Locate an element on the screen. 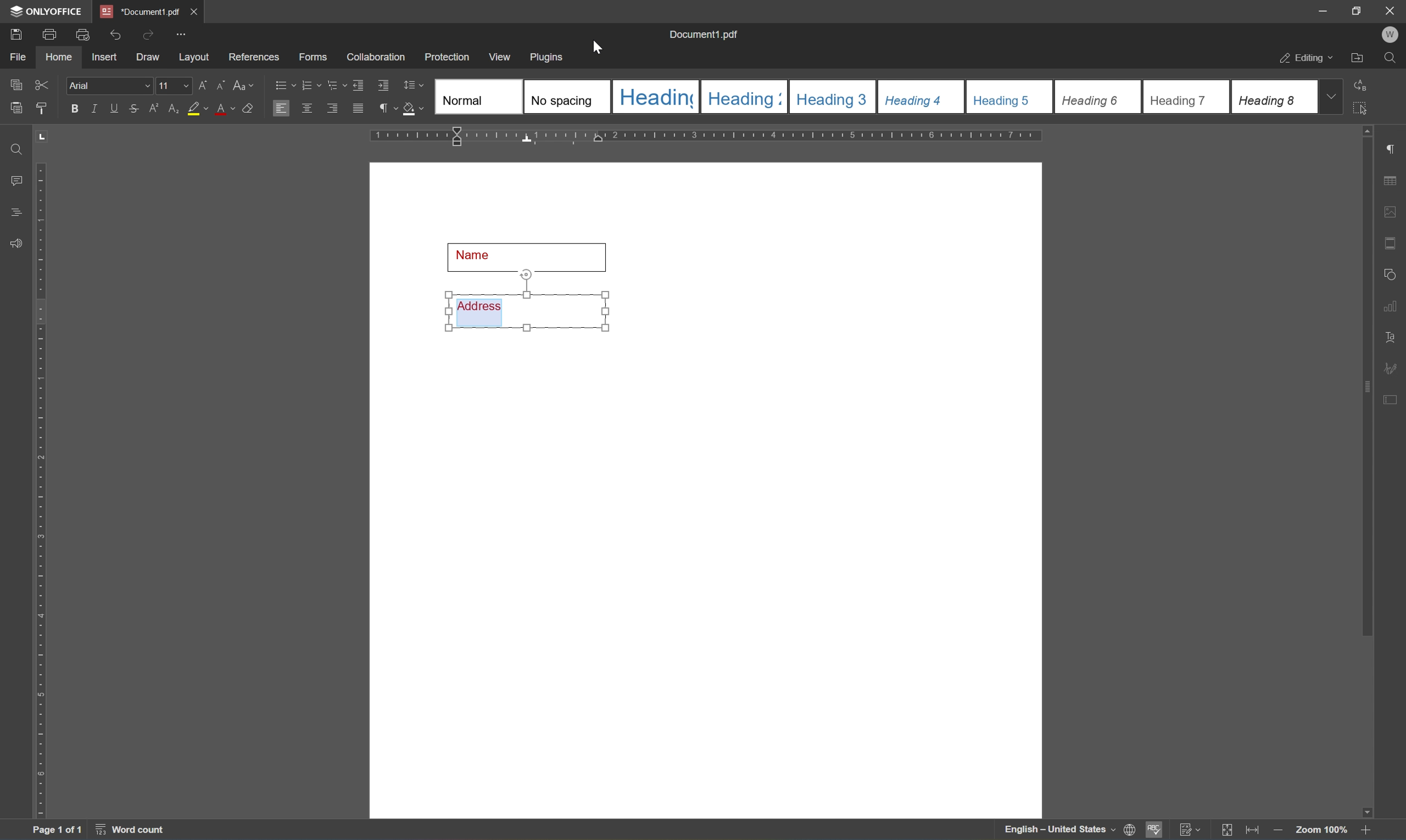 This screenshot has width=1406, height=840. feedback and support is located at coordinates (14, 243).